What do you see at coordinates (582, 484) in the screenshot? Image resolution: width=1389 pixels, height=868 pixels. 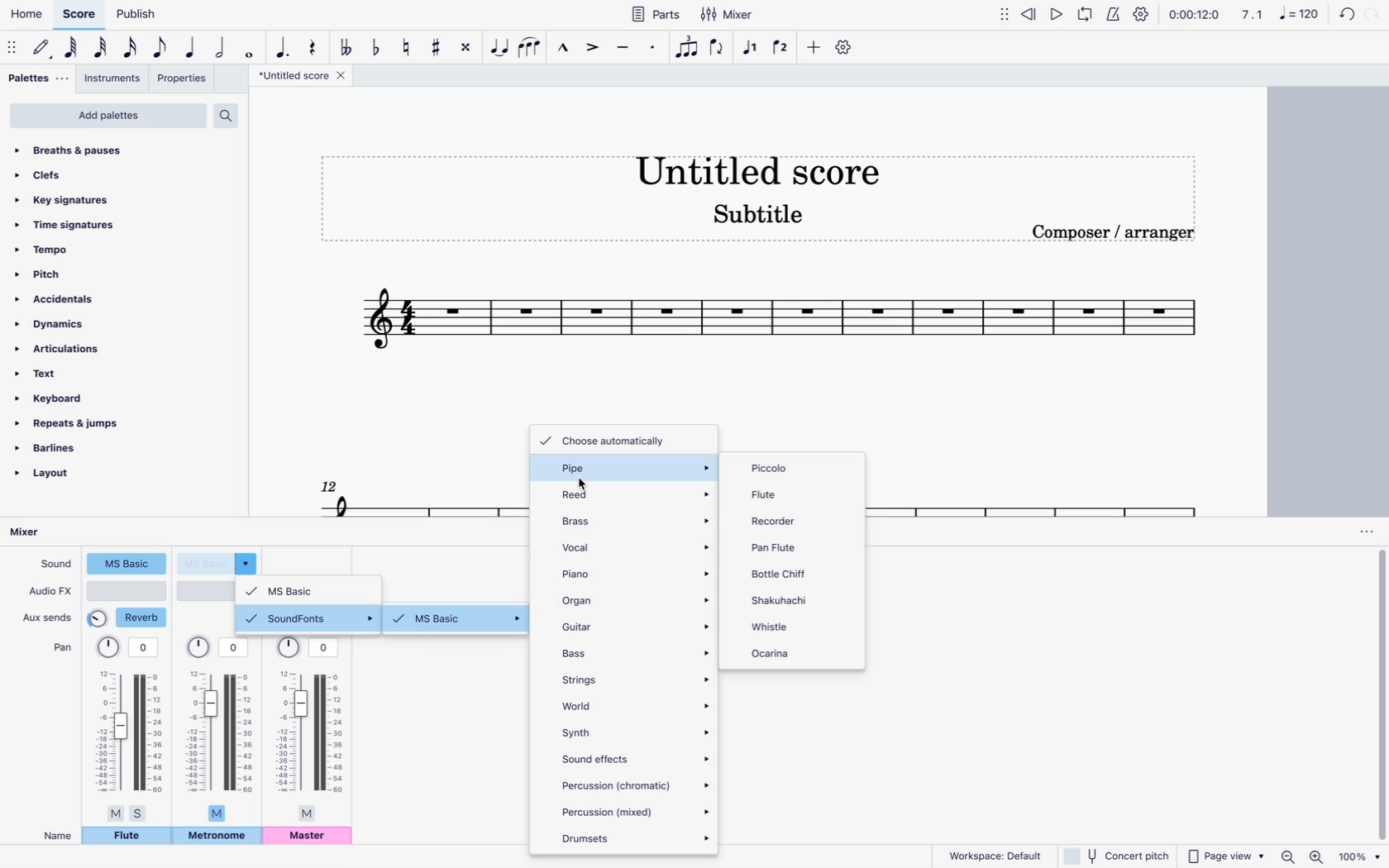 I see `cursor` at bounding box center [582, 484].